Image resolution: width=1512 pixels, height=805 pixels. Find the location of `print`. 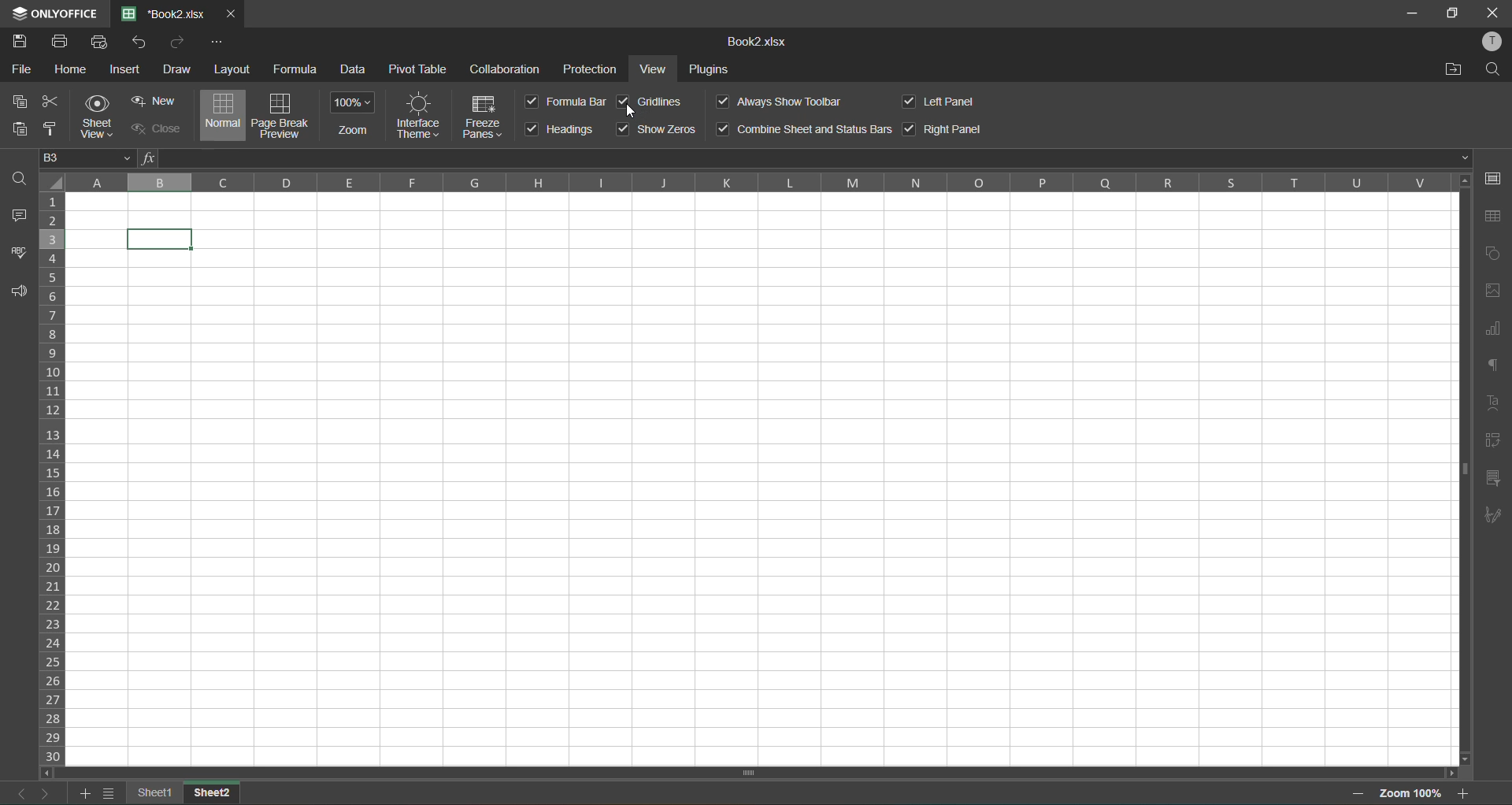

print is located at coordinates (60, 43).